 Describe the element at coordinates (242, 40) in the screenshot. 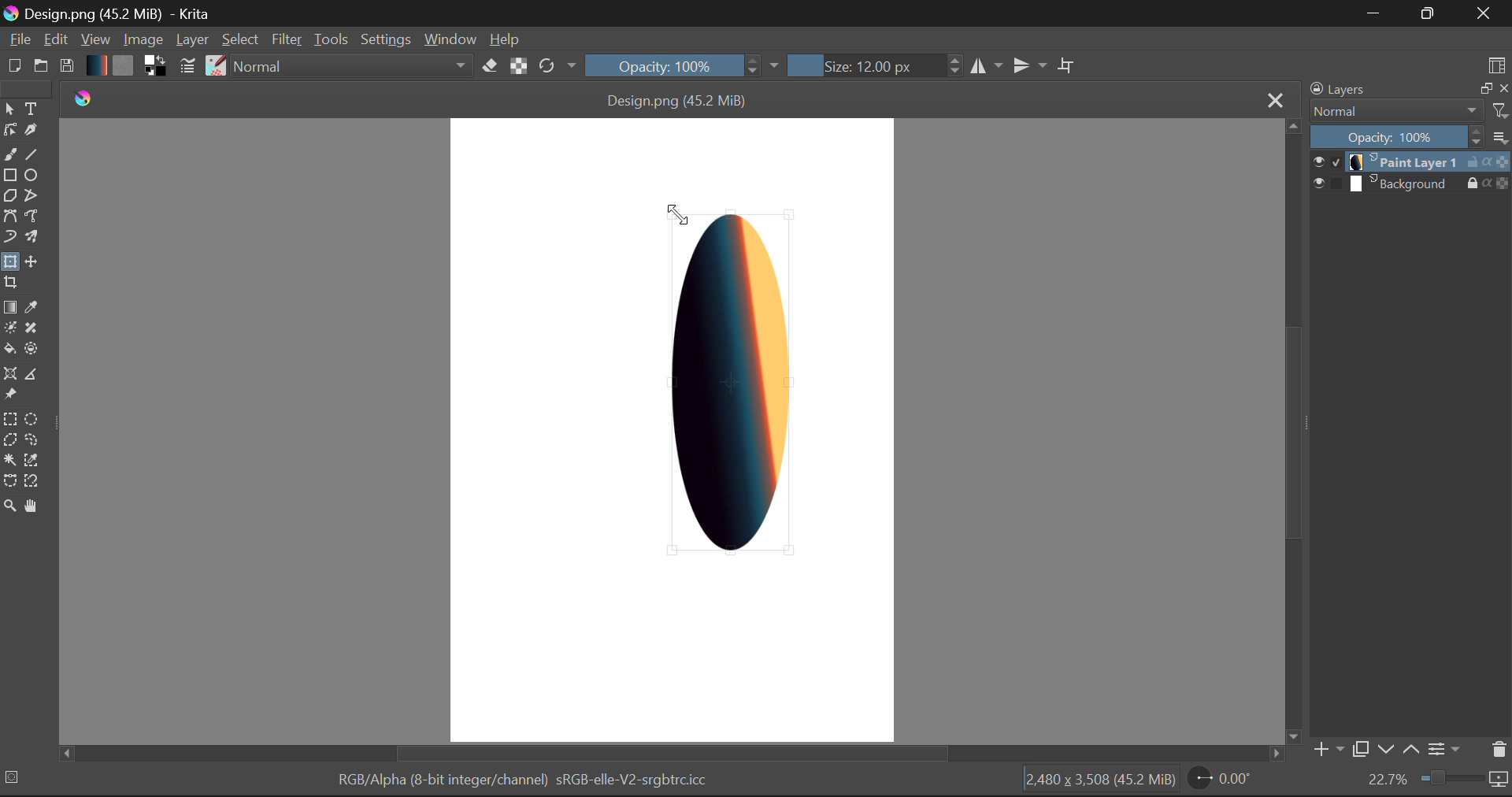

I see `Select` at that location.